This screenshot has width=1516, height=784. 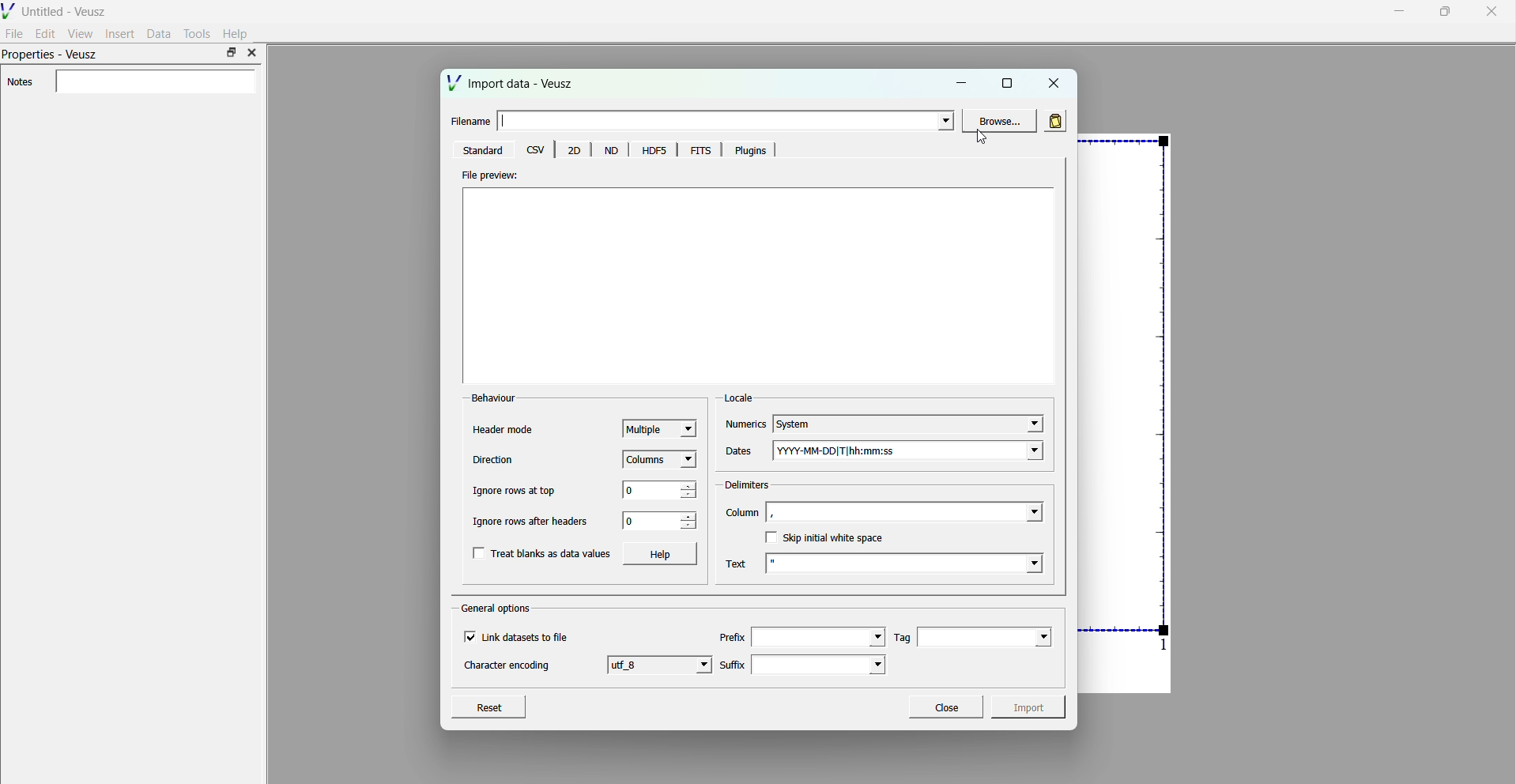 I want to click on column field, so click(x=907, y=512).